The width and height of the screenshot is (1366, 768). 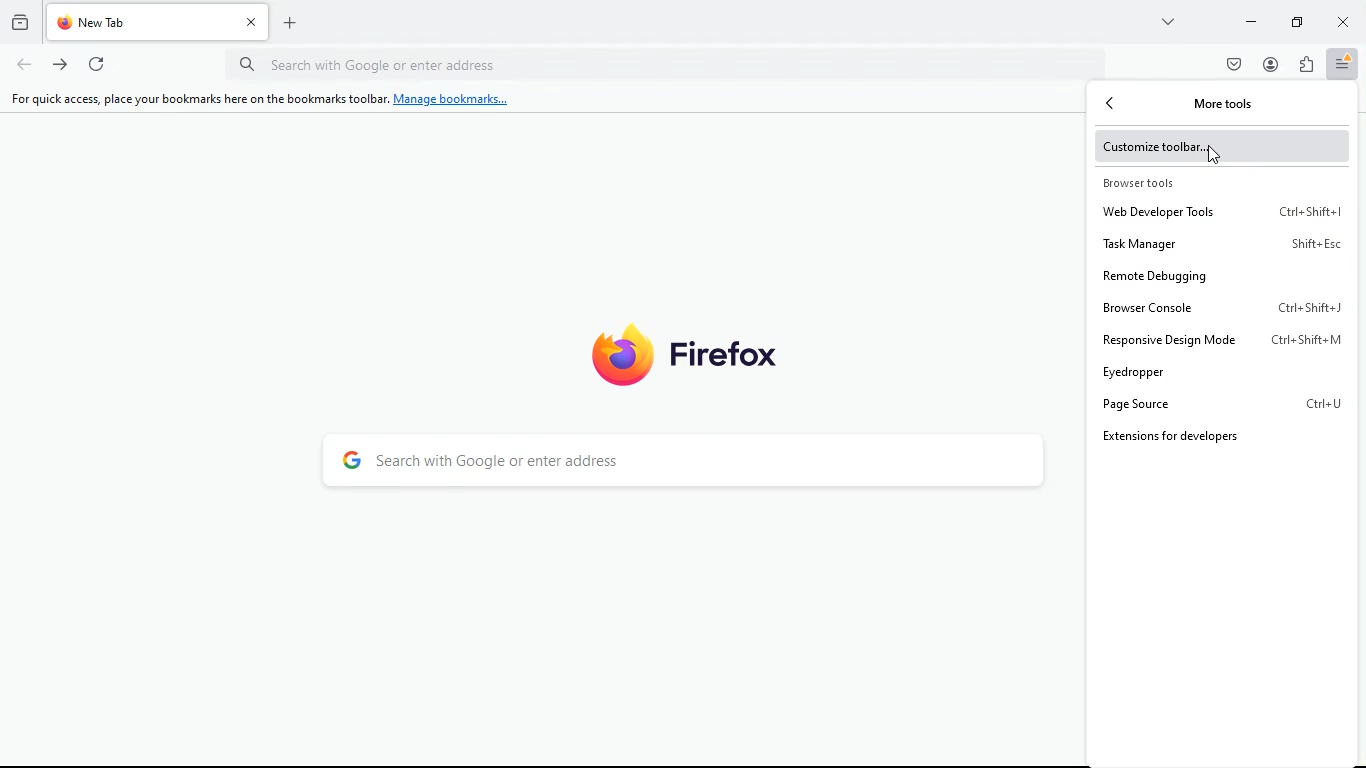 I want to click on more tools, so click(x=1231, y=104).